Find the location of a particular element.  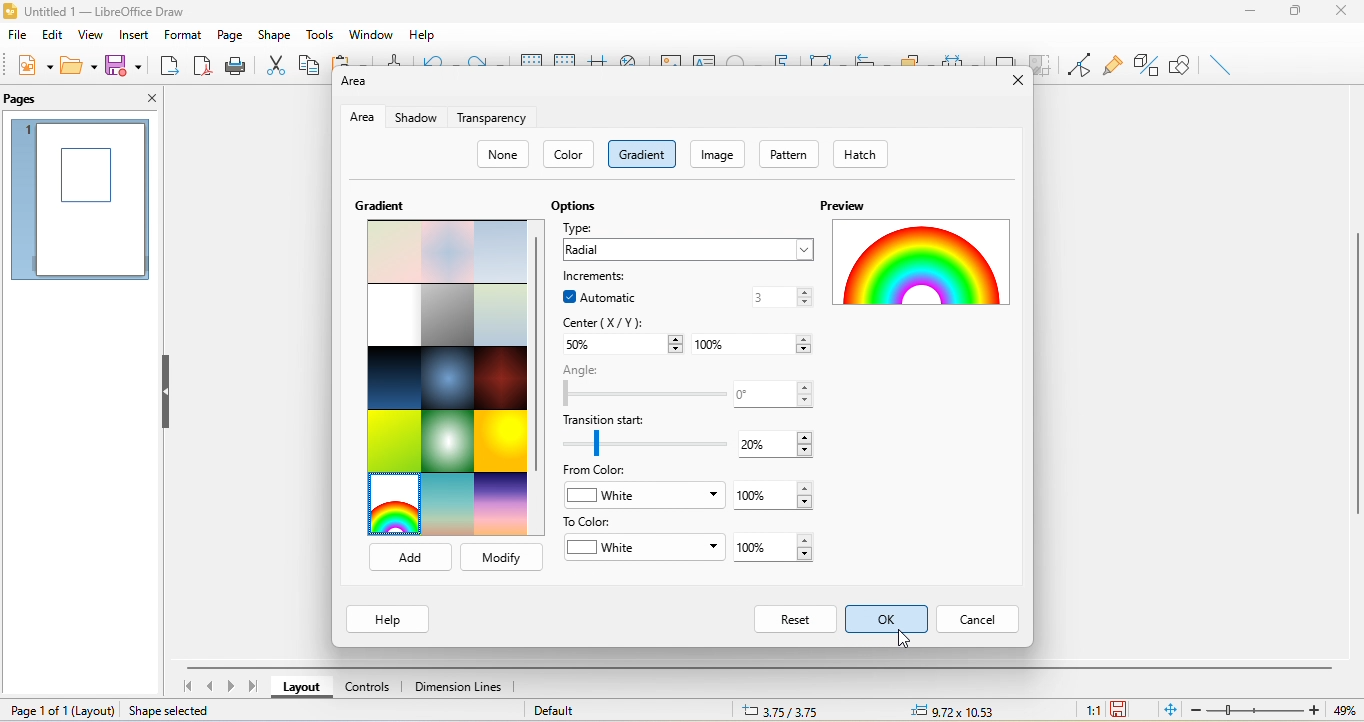

edit is located at coordinates (52, 36).